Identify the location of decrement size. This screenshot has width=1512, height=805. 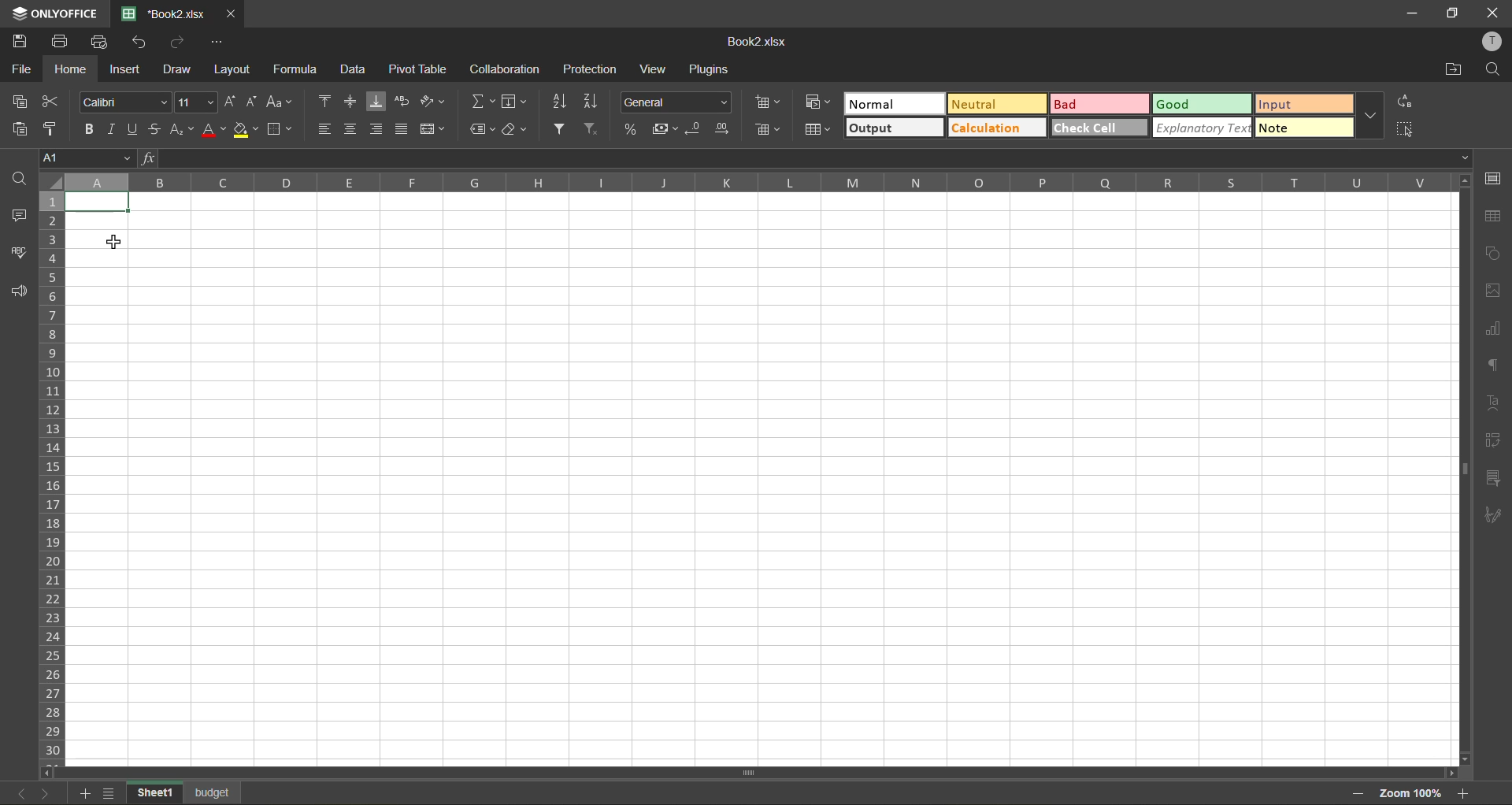
(255, 101).